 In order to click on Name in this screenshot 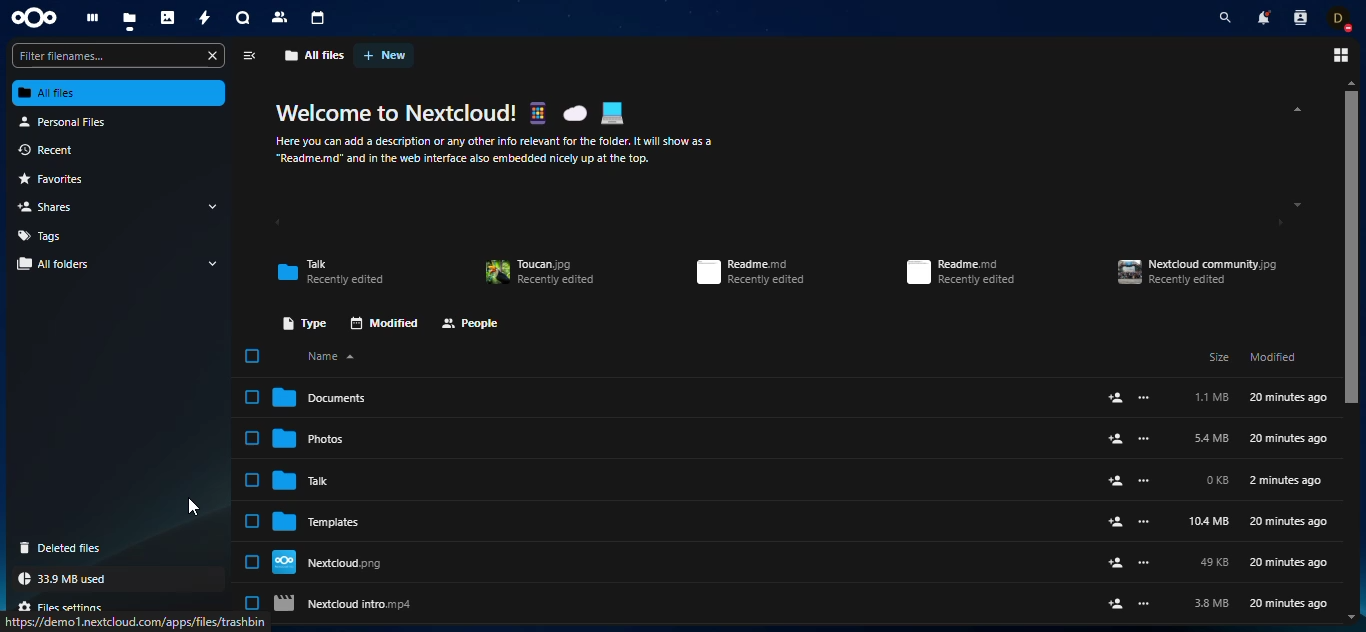, I will do `click(329, 356)`.